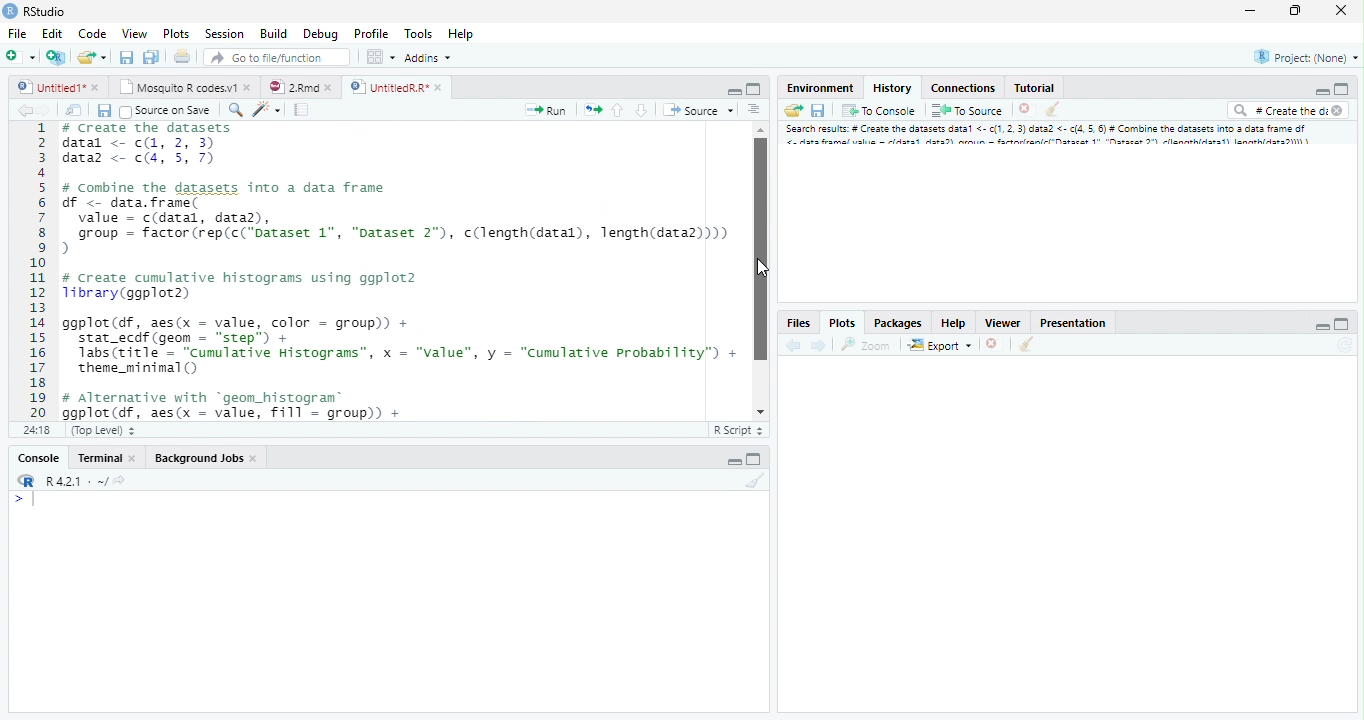  Describe the element at coordinates (593, 112) in the screenshot. I see `Pages` at that location.